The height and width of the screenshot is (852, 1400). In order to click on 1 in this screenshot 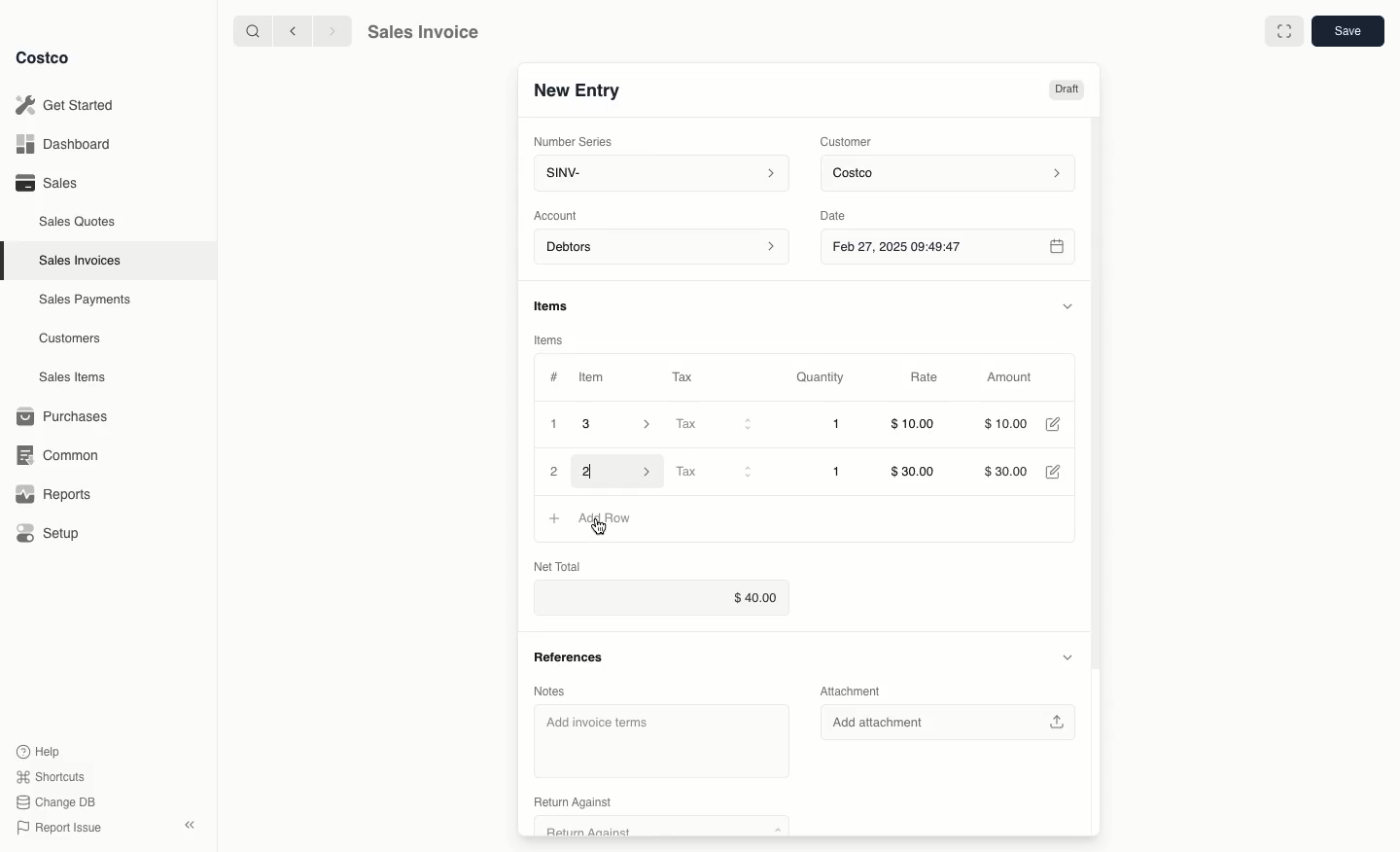, I will do `click(554, 424)`.